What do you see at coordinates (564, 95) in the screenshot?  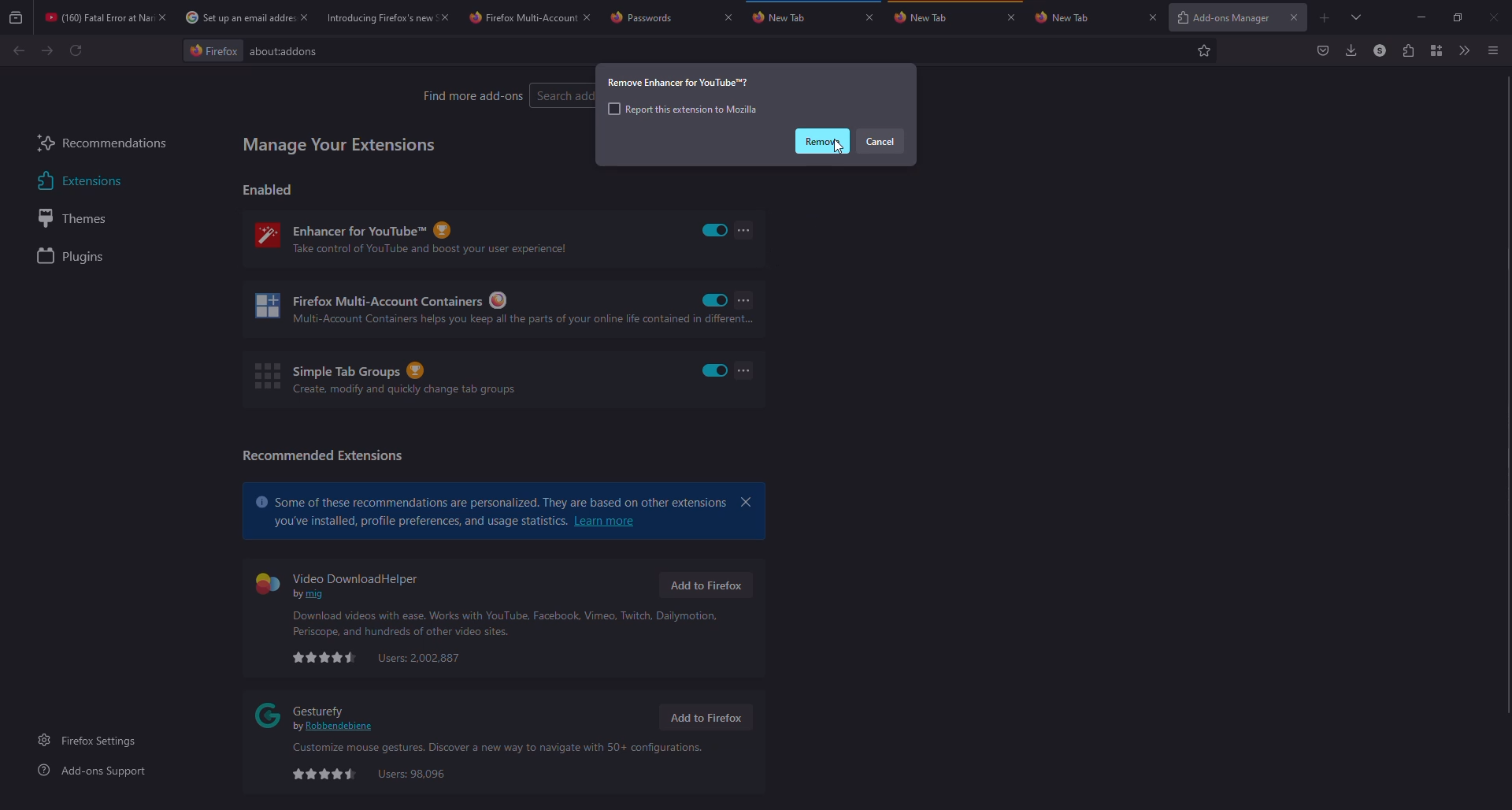 I see `search` at bounding box center [564, 95].